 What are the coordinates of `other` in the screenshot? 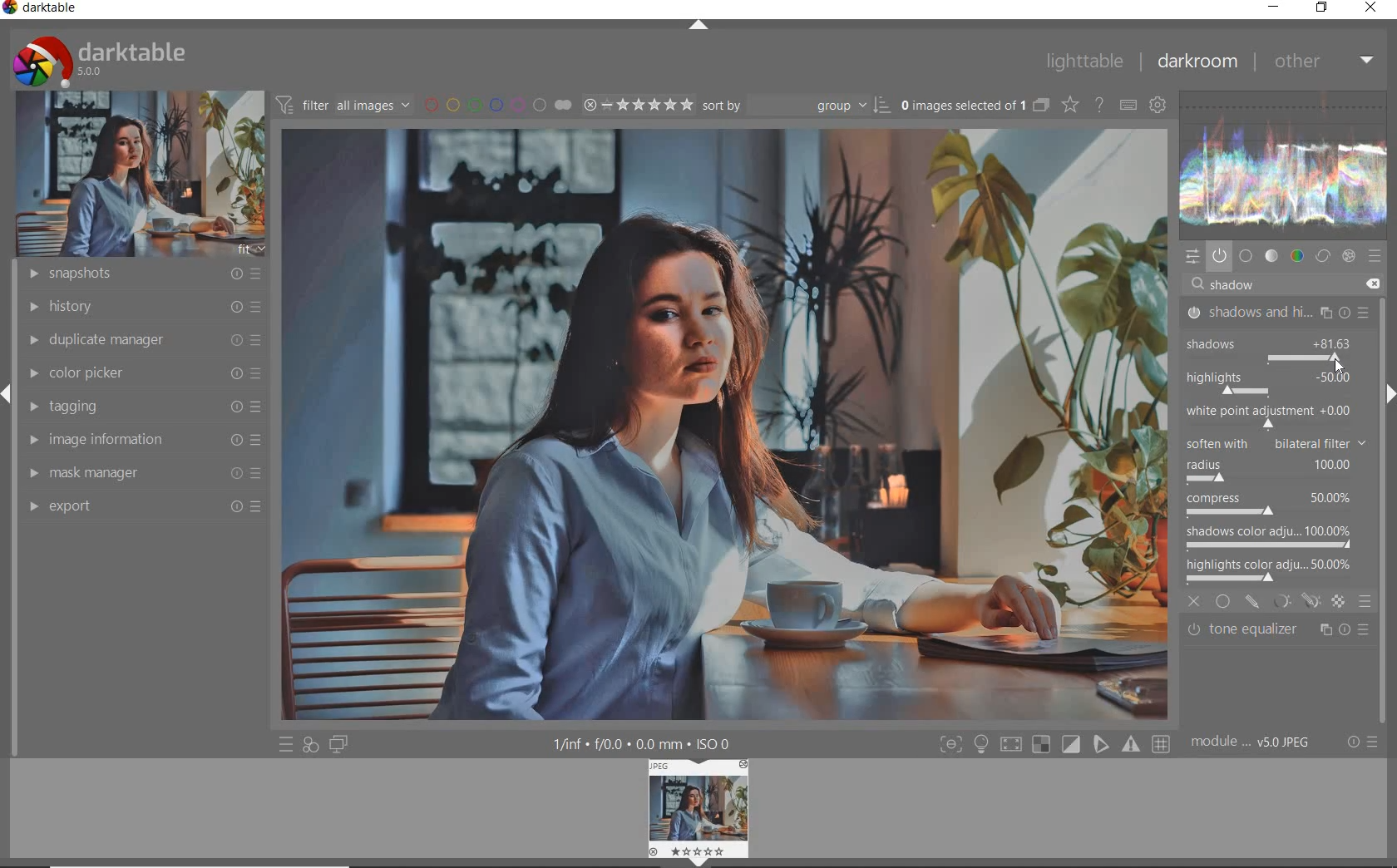 It's located at (1323, 61).